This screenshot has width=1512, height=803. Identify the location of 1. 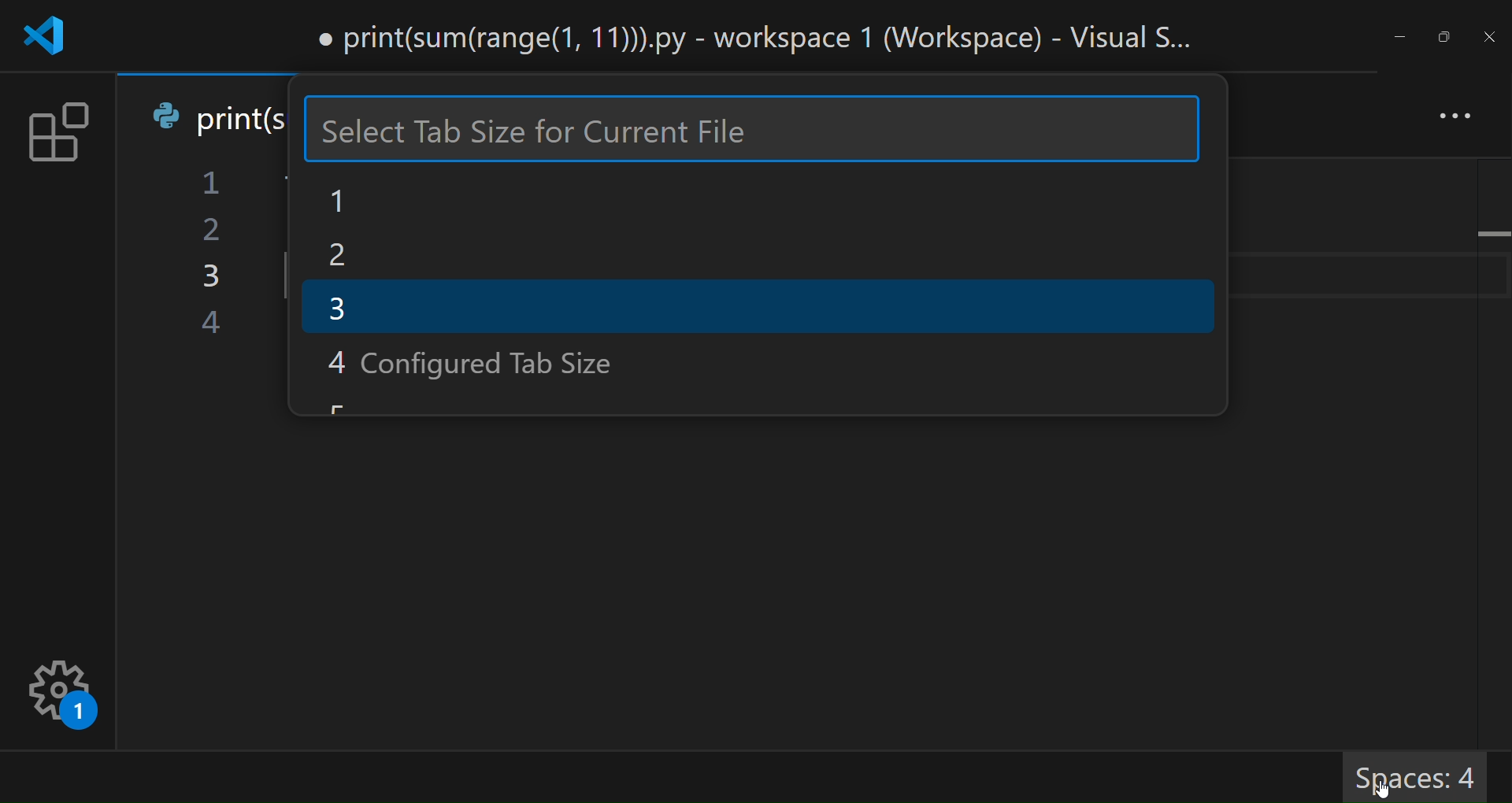
(363, 201).